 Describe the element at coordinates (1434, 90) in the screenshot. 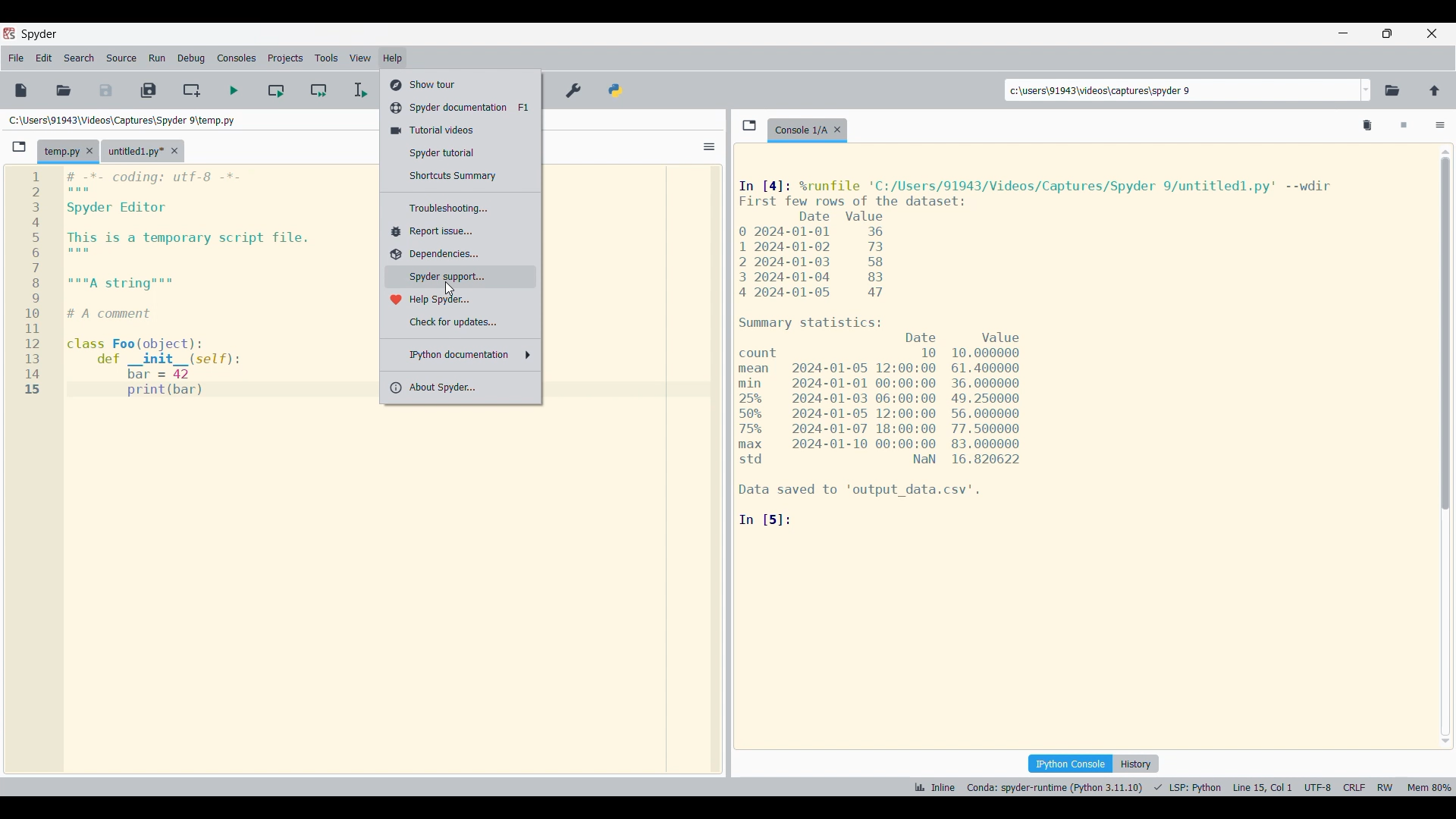

I see `Change to parent directory` at that location.